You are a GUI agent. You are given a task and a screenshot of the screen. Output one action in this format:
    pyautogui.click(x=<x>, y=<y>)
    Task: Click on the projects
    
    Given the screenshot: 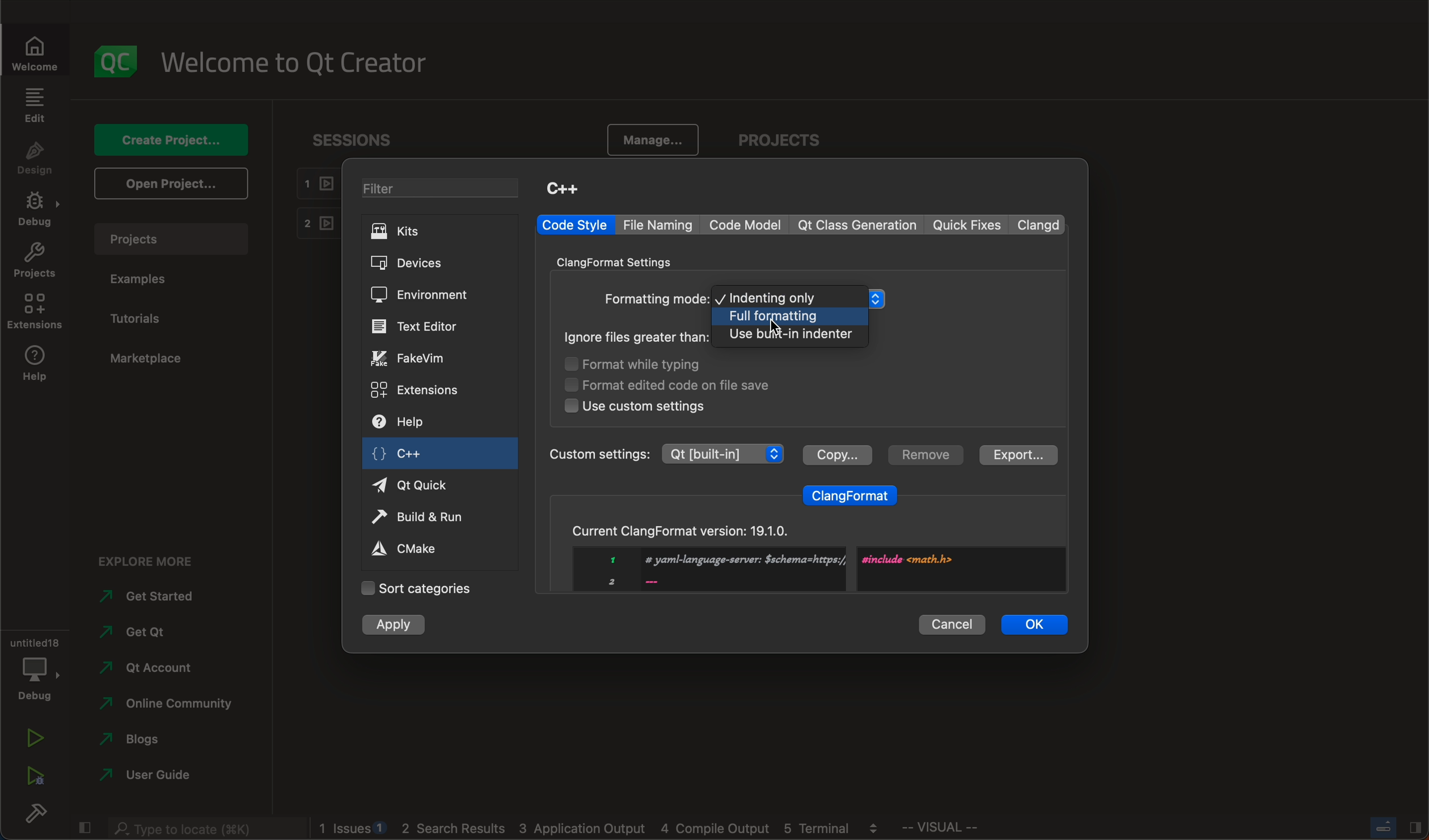 What is the action you would take?
    pyautogui.click(x=785, y=142)
    